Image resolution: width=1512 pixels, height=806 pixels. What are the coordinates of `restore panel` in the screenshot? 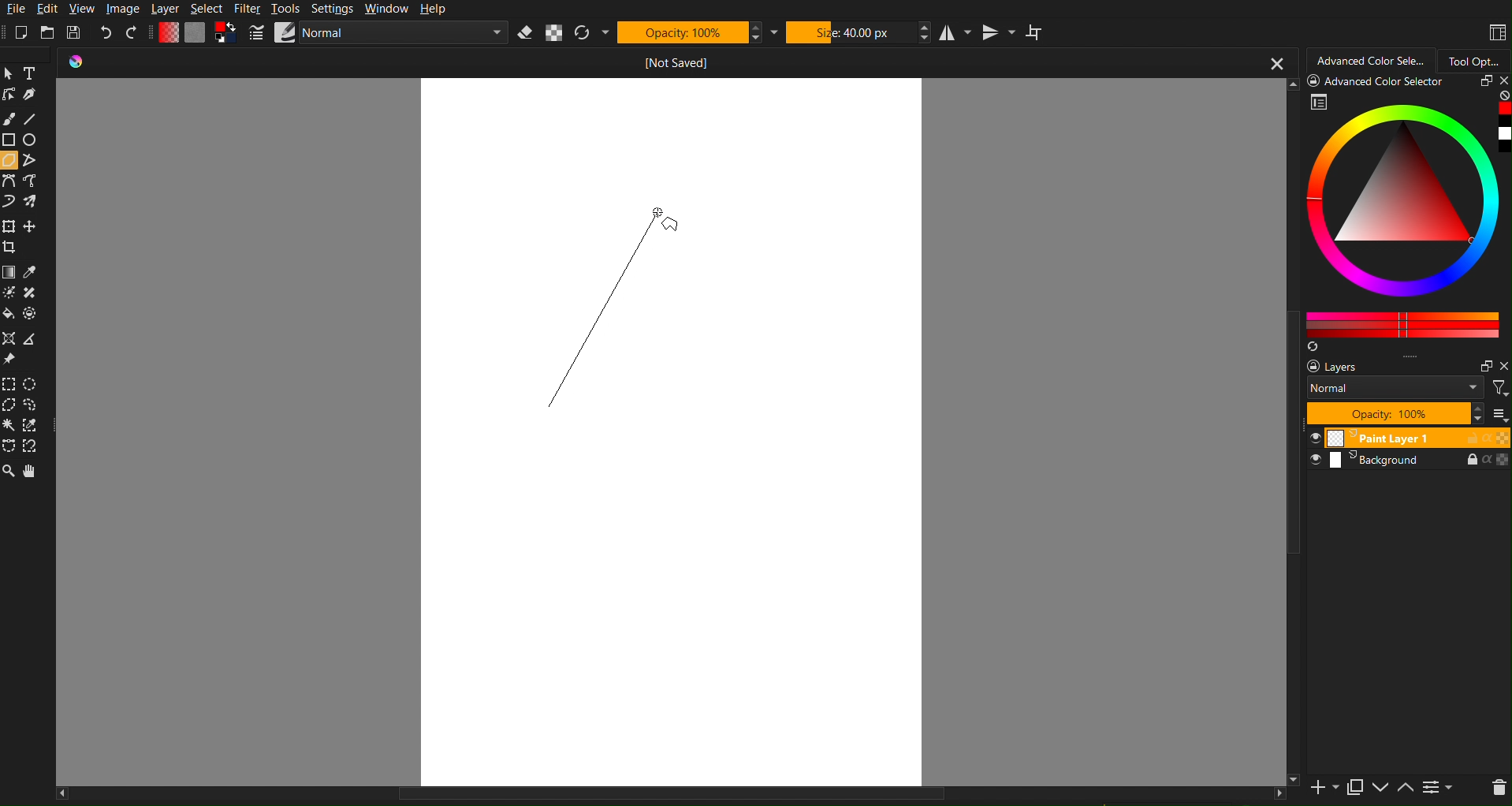 It's located at (1484, 366).